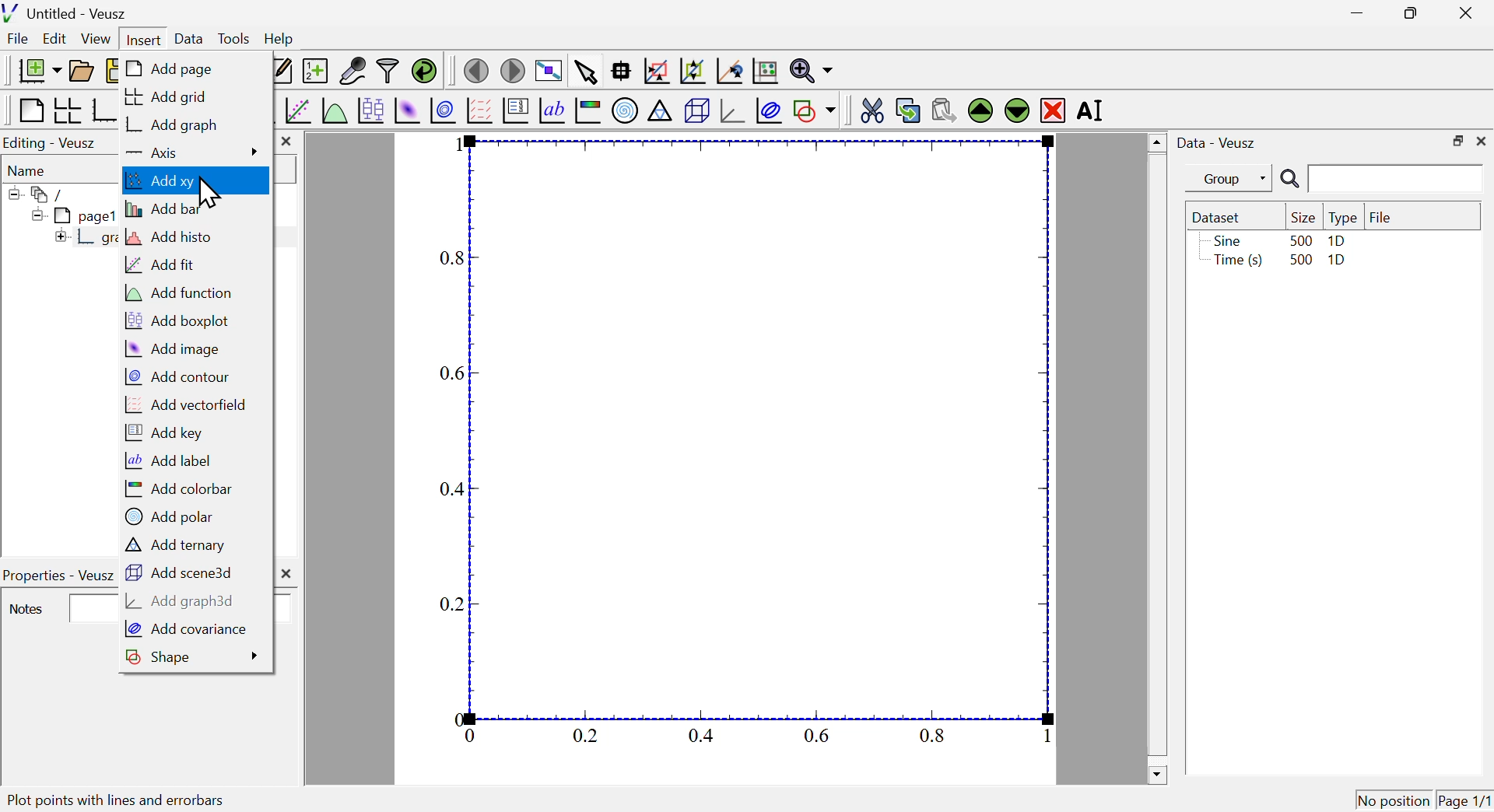 The height and width of the screenshot is (812, 1494). I want to click on move to the next page, so click(515, 70).